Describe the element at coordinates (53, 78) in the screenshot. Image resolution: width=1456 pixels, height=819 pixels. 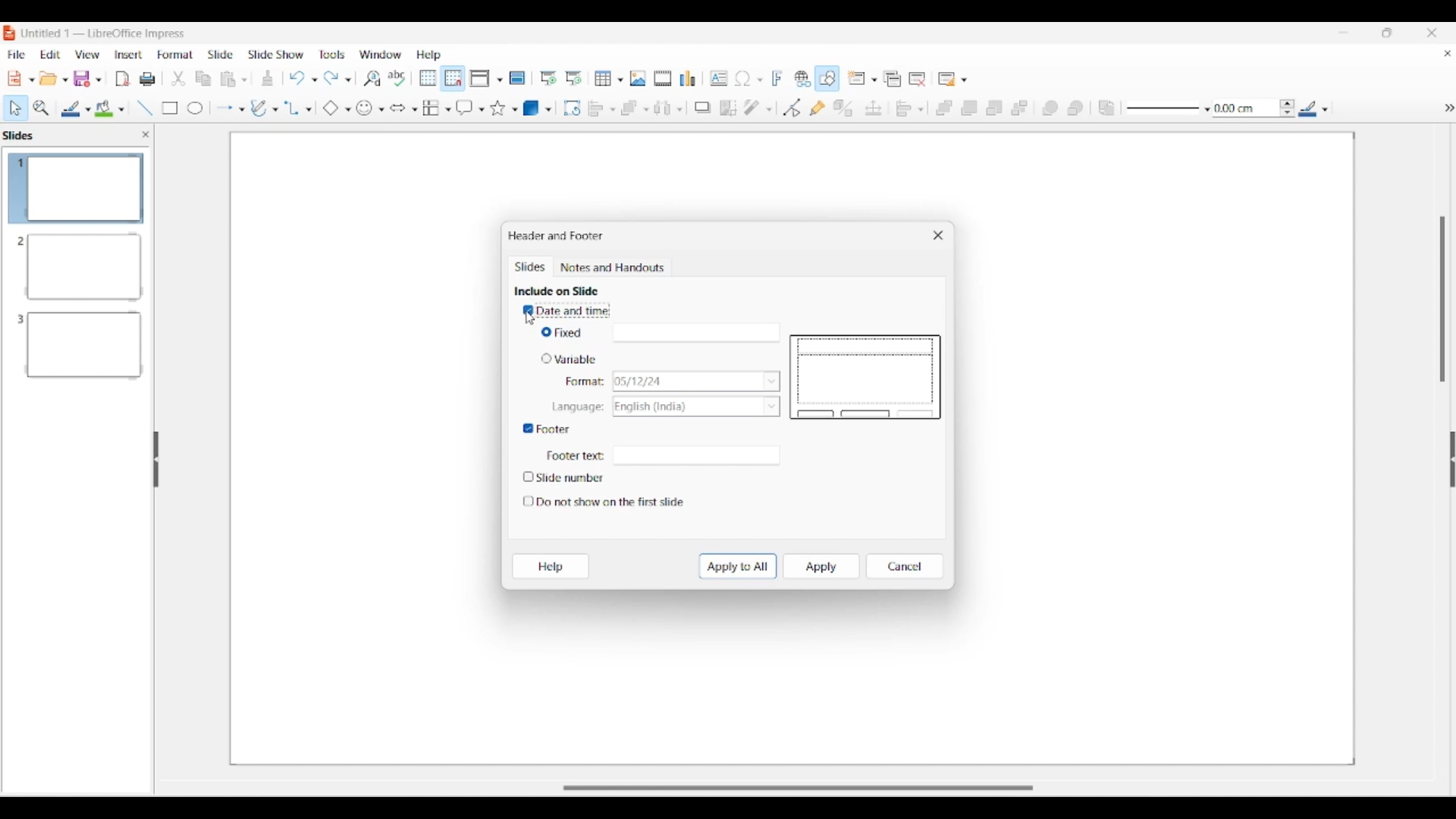
I see `Open document options` at that location.